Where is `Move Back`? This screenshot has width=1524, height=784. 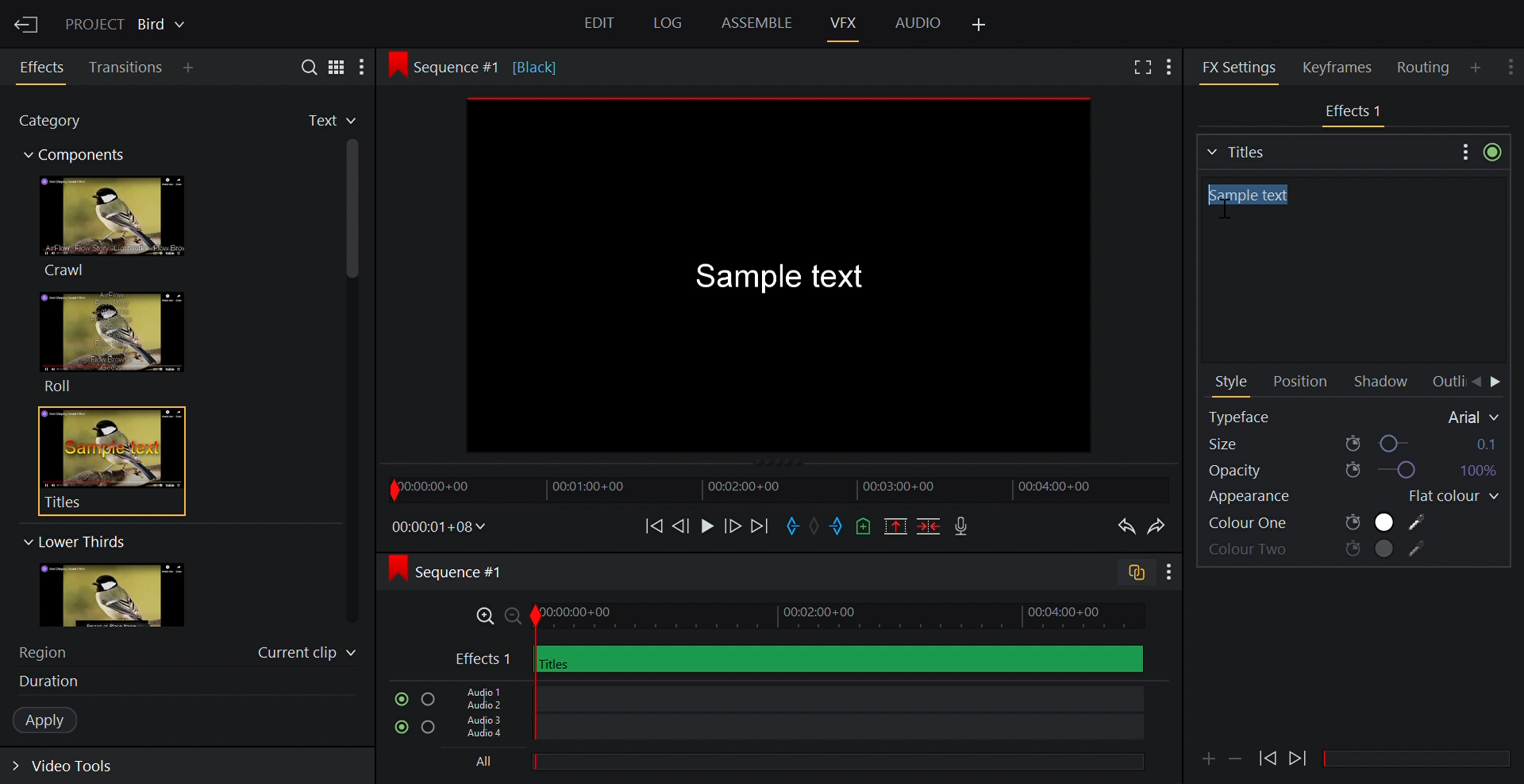
Move Back is located at coordinates (1476, 382).